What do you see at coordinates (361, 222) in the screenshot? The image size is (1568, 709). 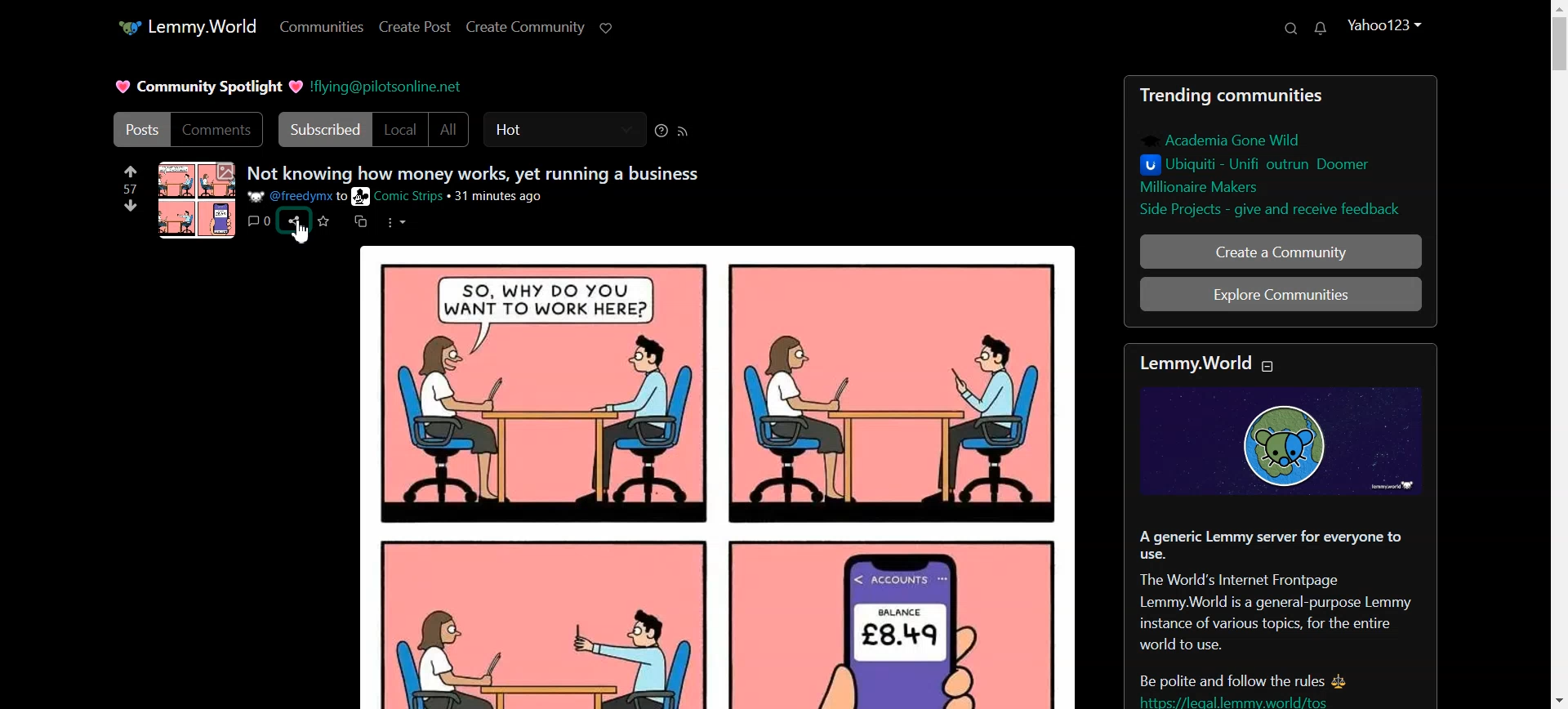 I see `Copy` at bounding box center [361, 222].